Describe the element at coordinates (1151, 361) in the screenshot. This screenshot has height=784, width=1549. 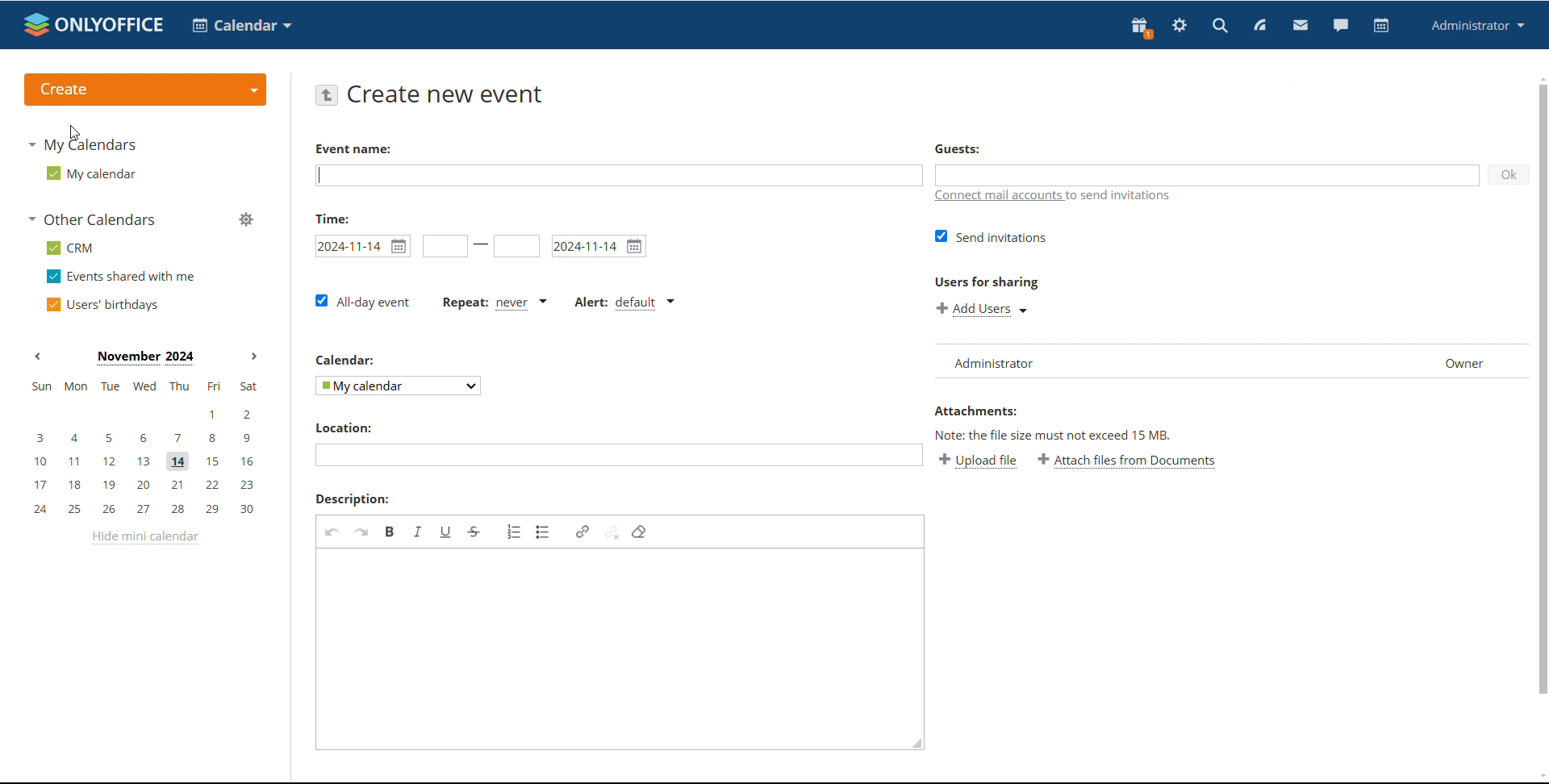
I see `list of users` at that location.